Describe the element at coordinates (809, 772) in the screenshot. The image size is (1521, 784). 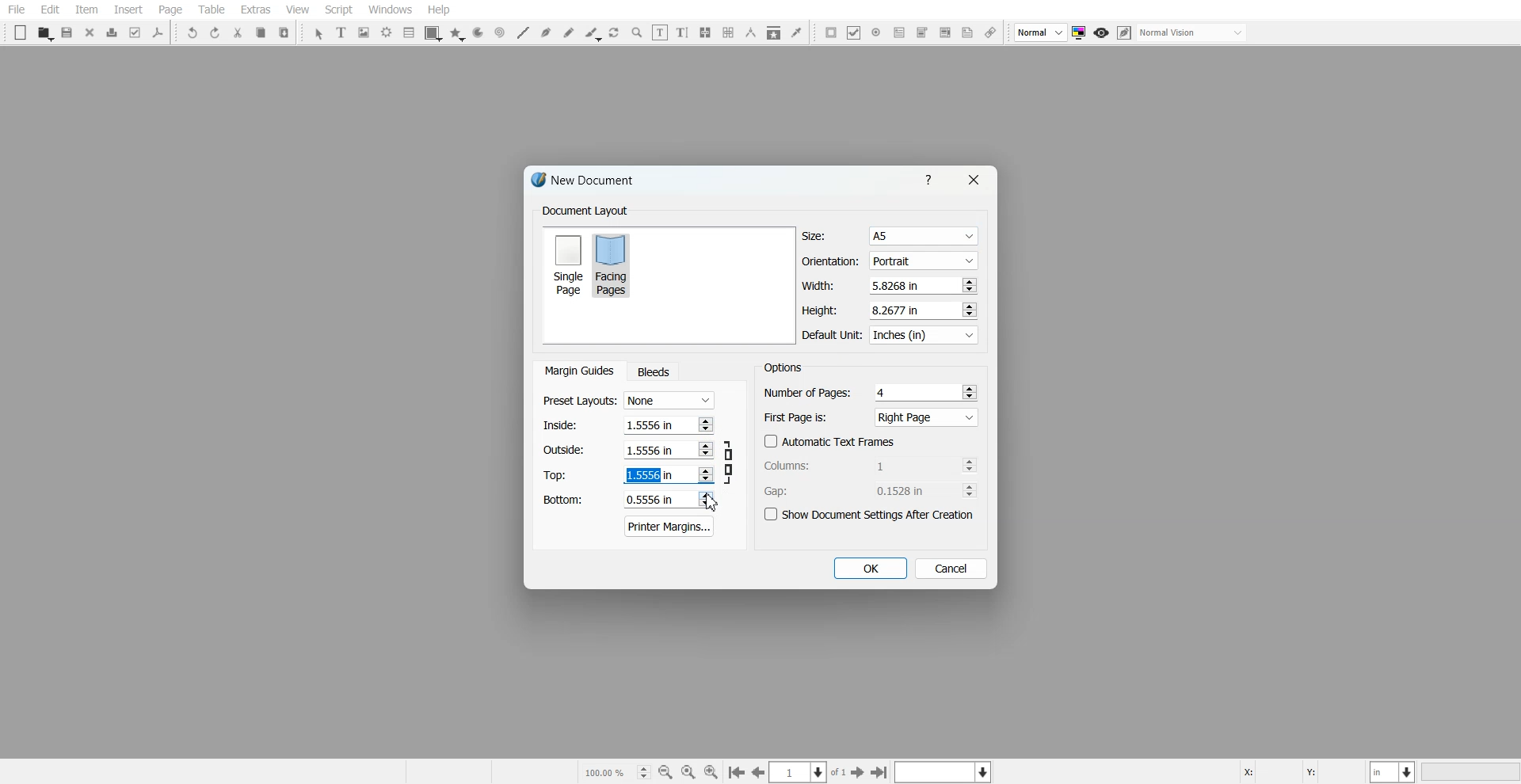
I see `Select the current page` at that location.